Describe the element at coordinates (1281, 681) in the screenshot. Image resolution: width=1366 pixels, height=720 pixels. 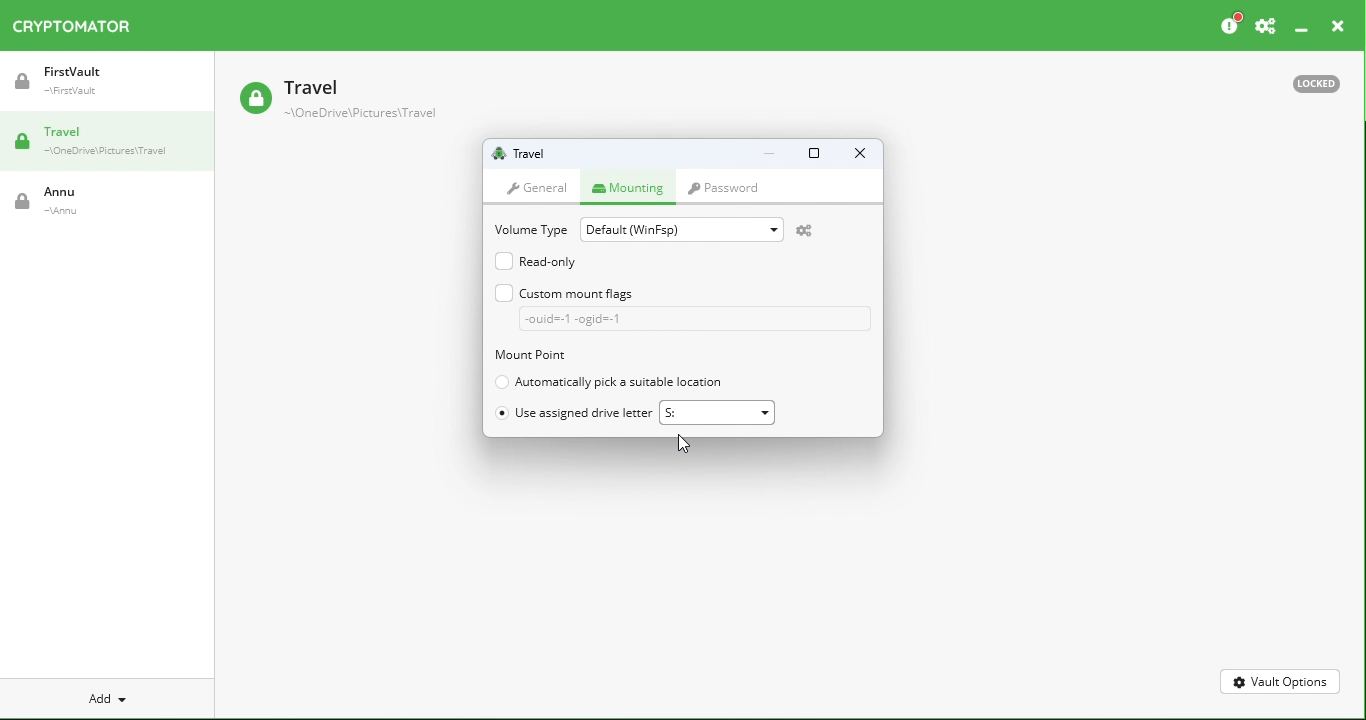
I see `Vault Options.` at that location.